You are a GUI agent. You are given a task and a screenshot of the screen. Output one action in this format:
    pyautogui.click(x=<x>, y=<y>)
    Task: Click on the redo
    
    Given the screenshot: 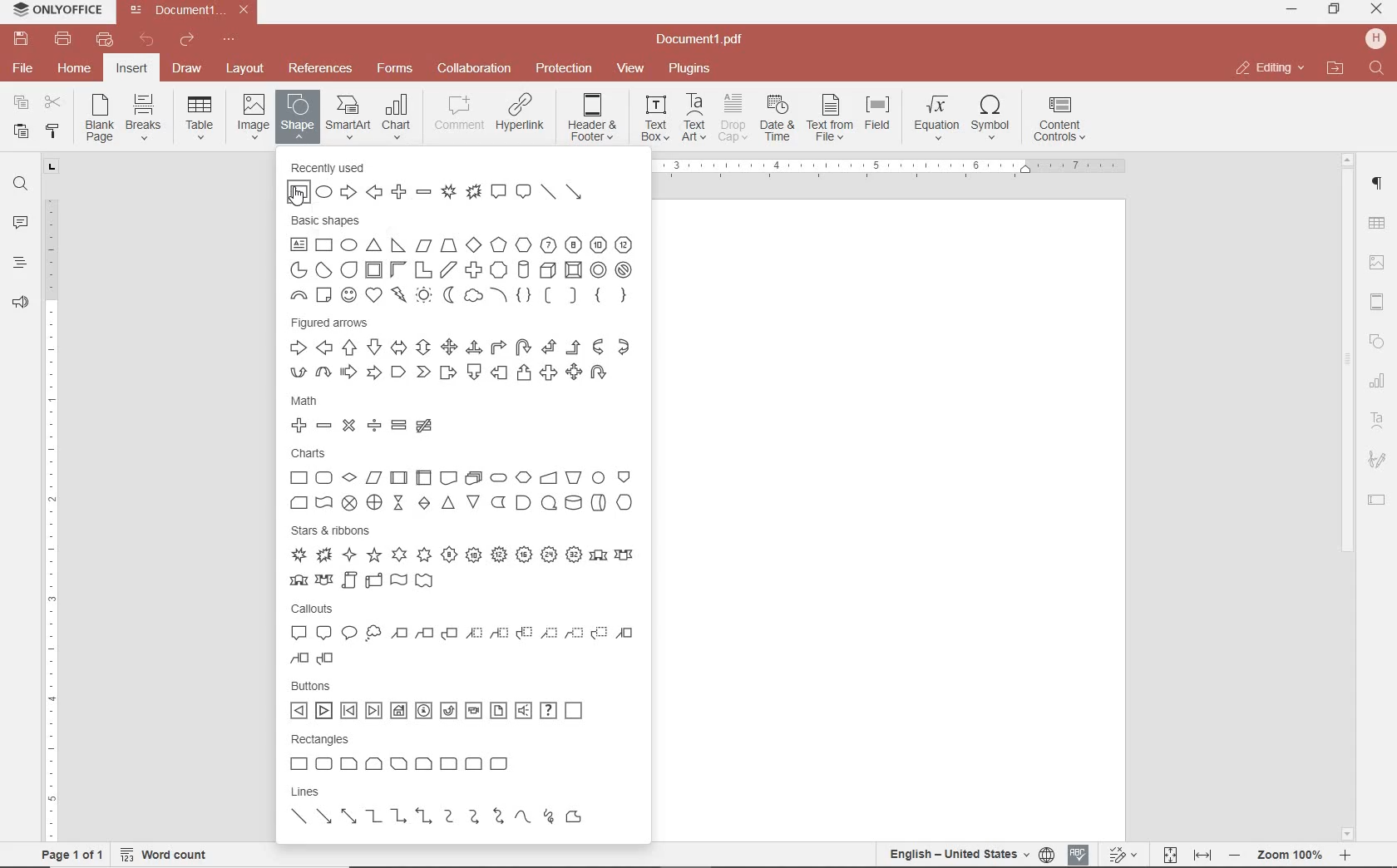 What is the action you would take?
    pyautogui.click(x=185, y=42)
    